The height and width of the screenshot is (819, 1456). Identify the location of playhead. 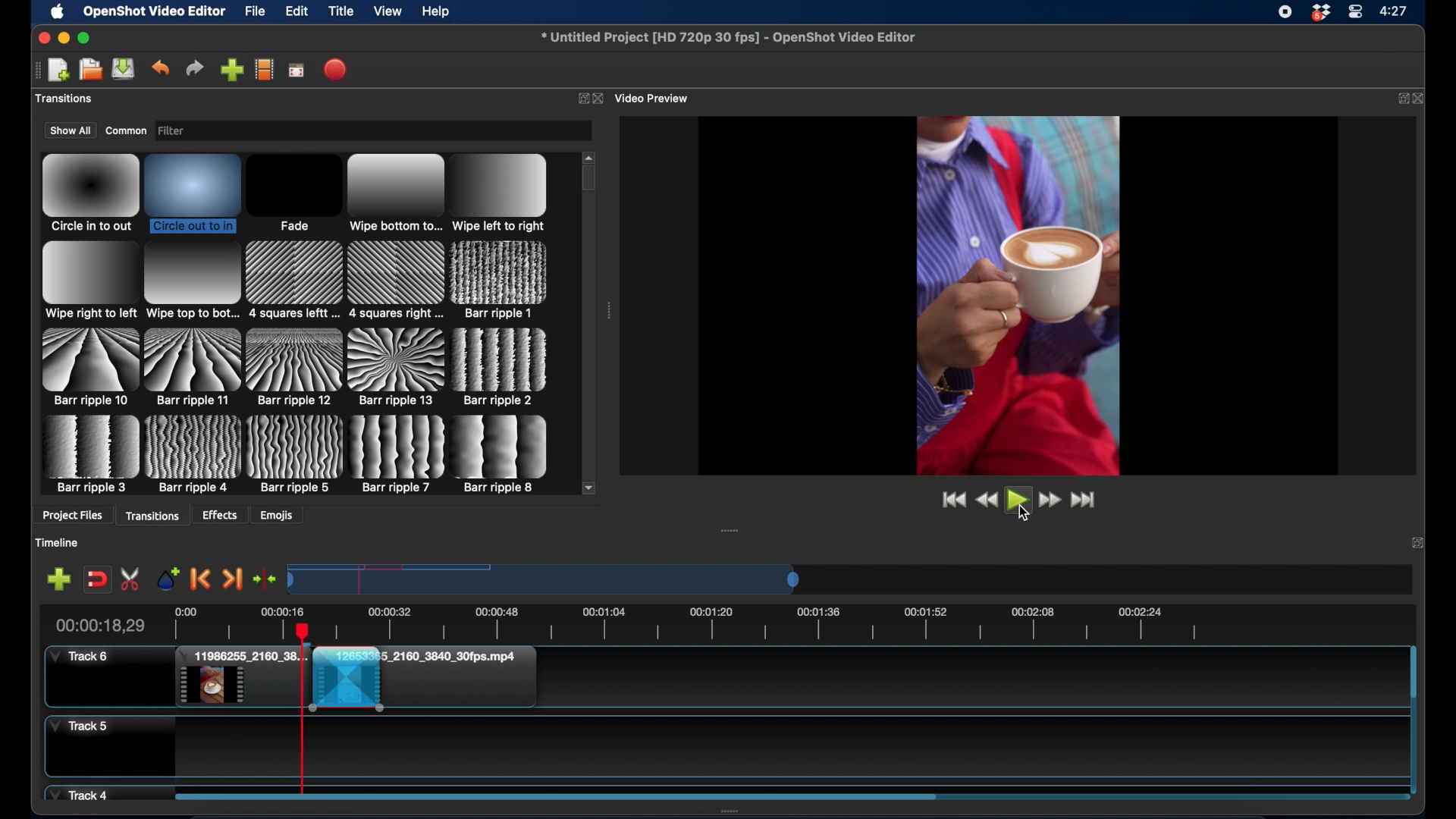
(303, 749).